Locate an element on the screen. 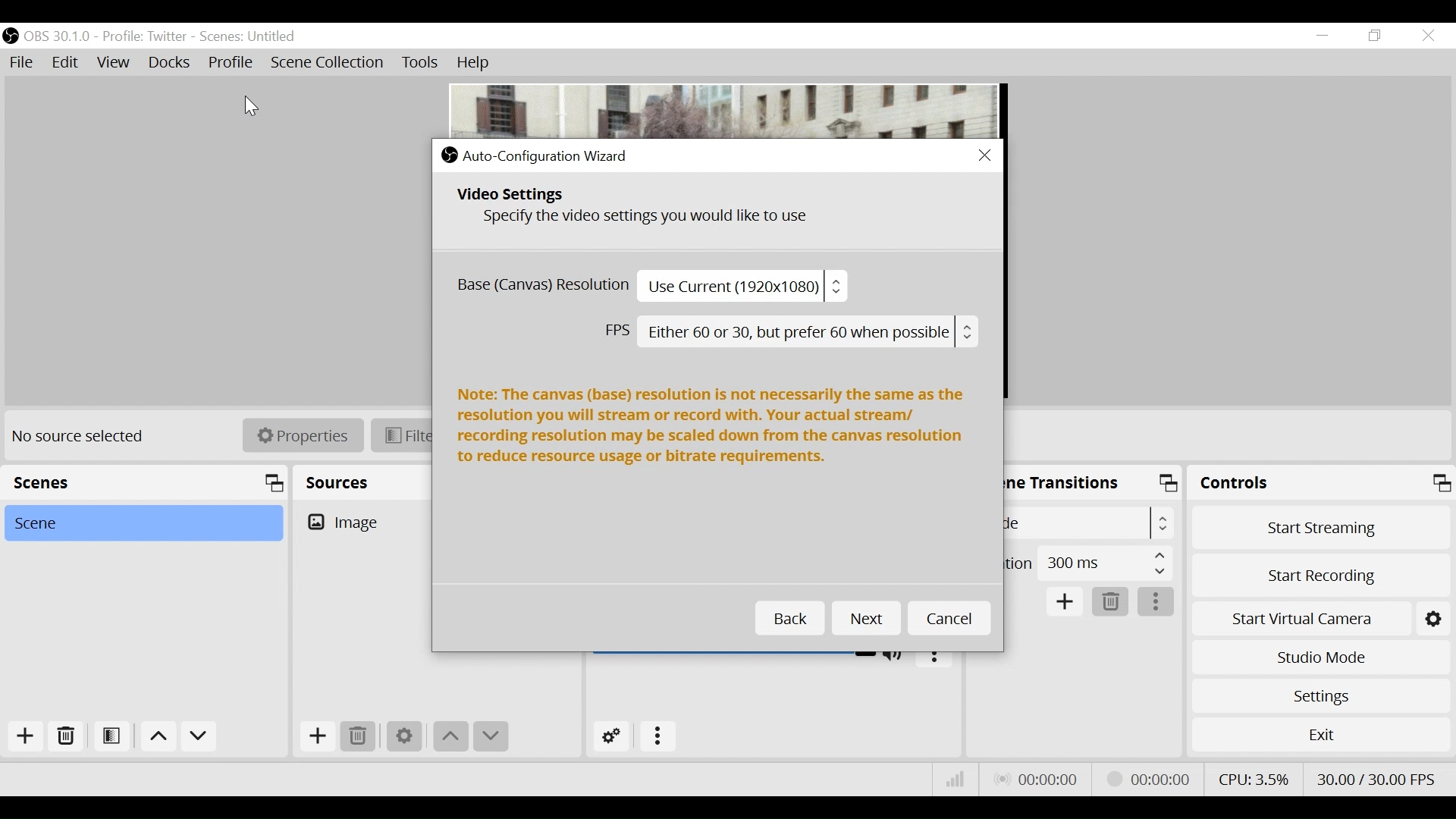 This screenshot has width=1456, height=819. Add is located at coordinates (316, 736).